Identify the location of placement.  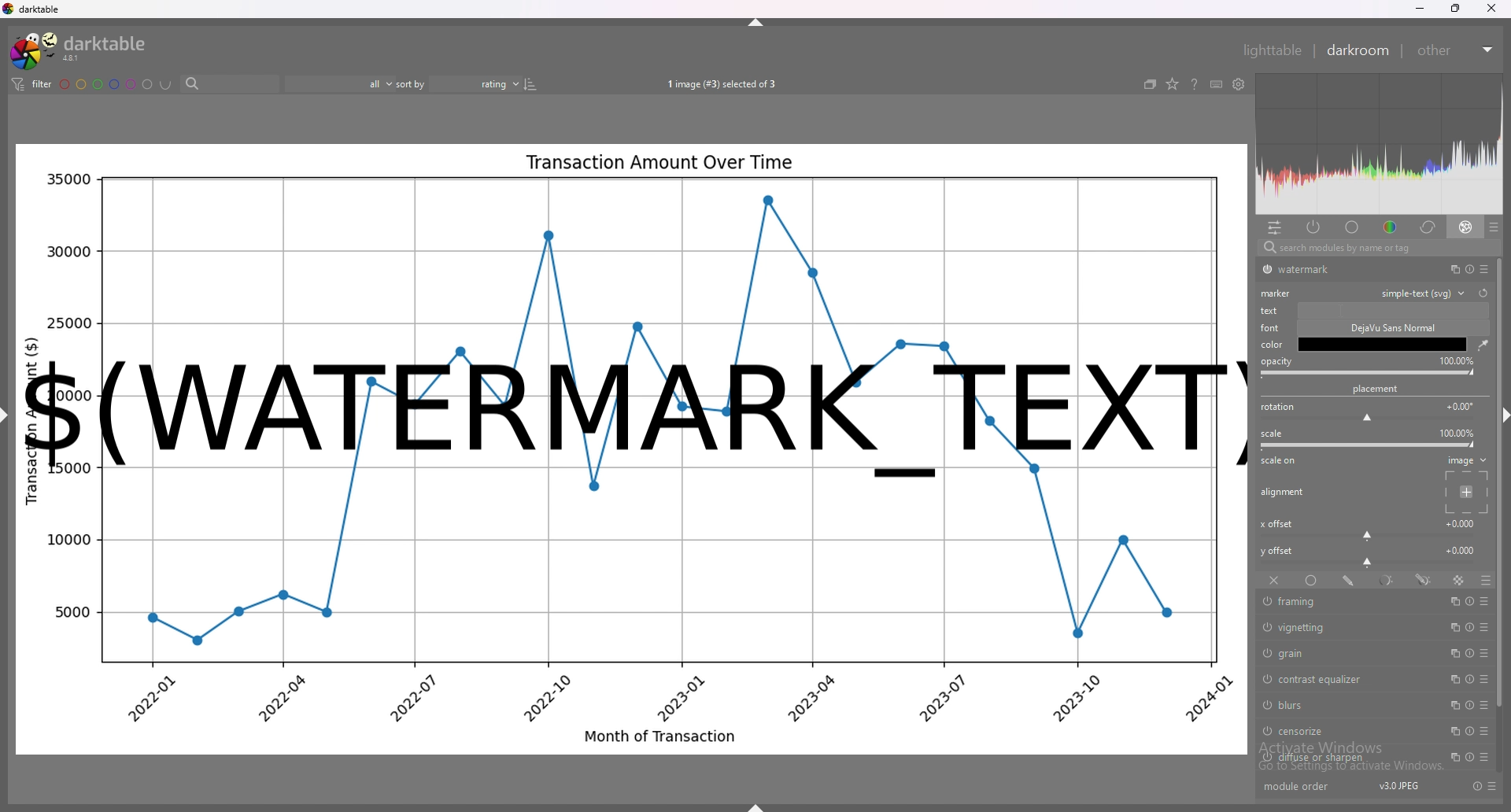
(1469, 493).